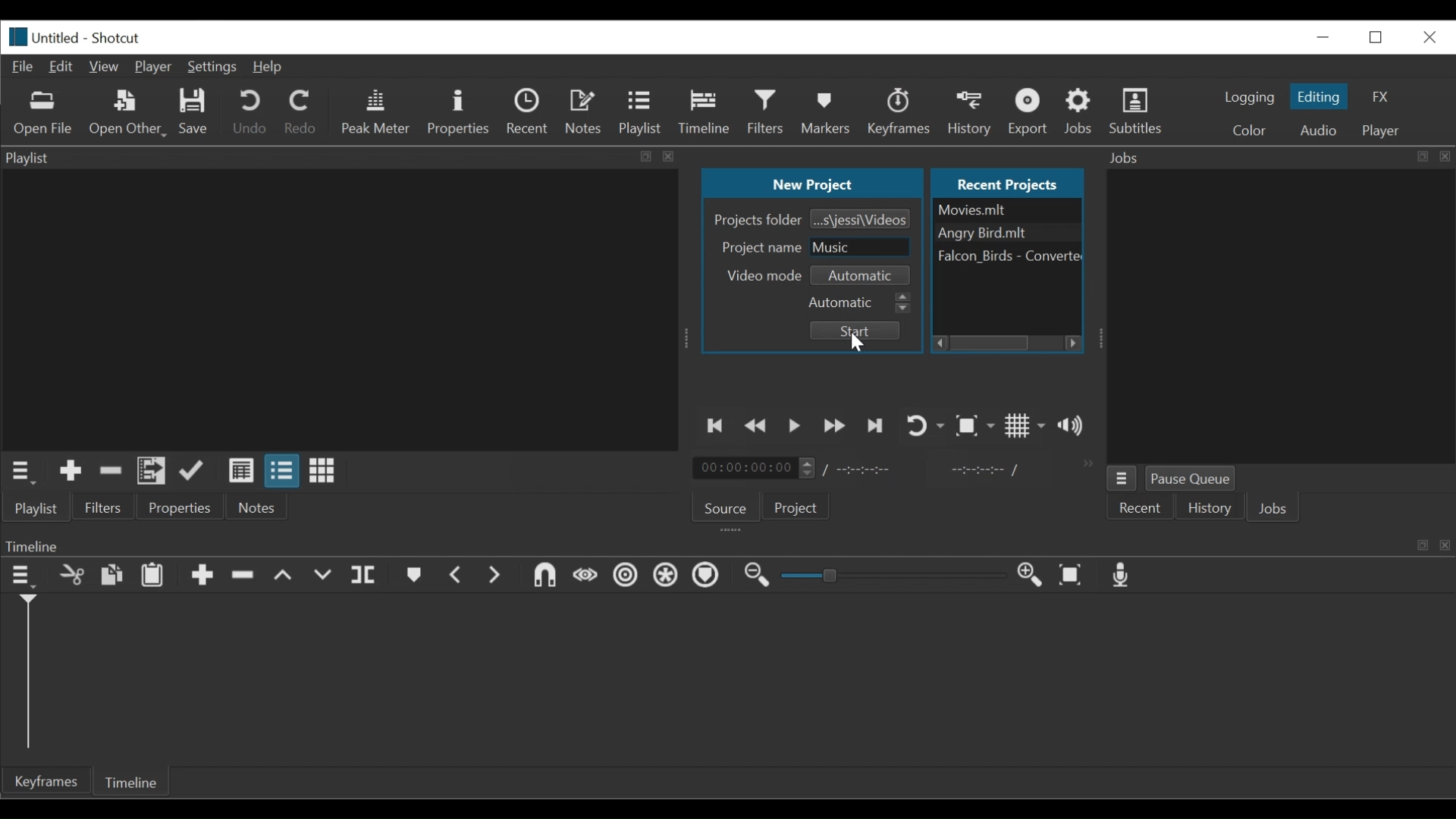  What do you see at coordinates (193, 472) in the screenshot?
I see `Update` at bounding box center [193, 472].